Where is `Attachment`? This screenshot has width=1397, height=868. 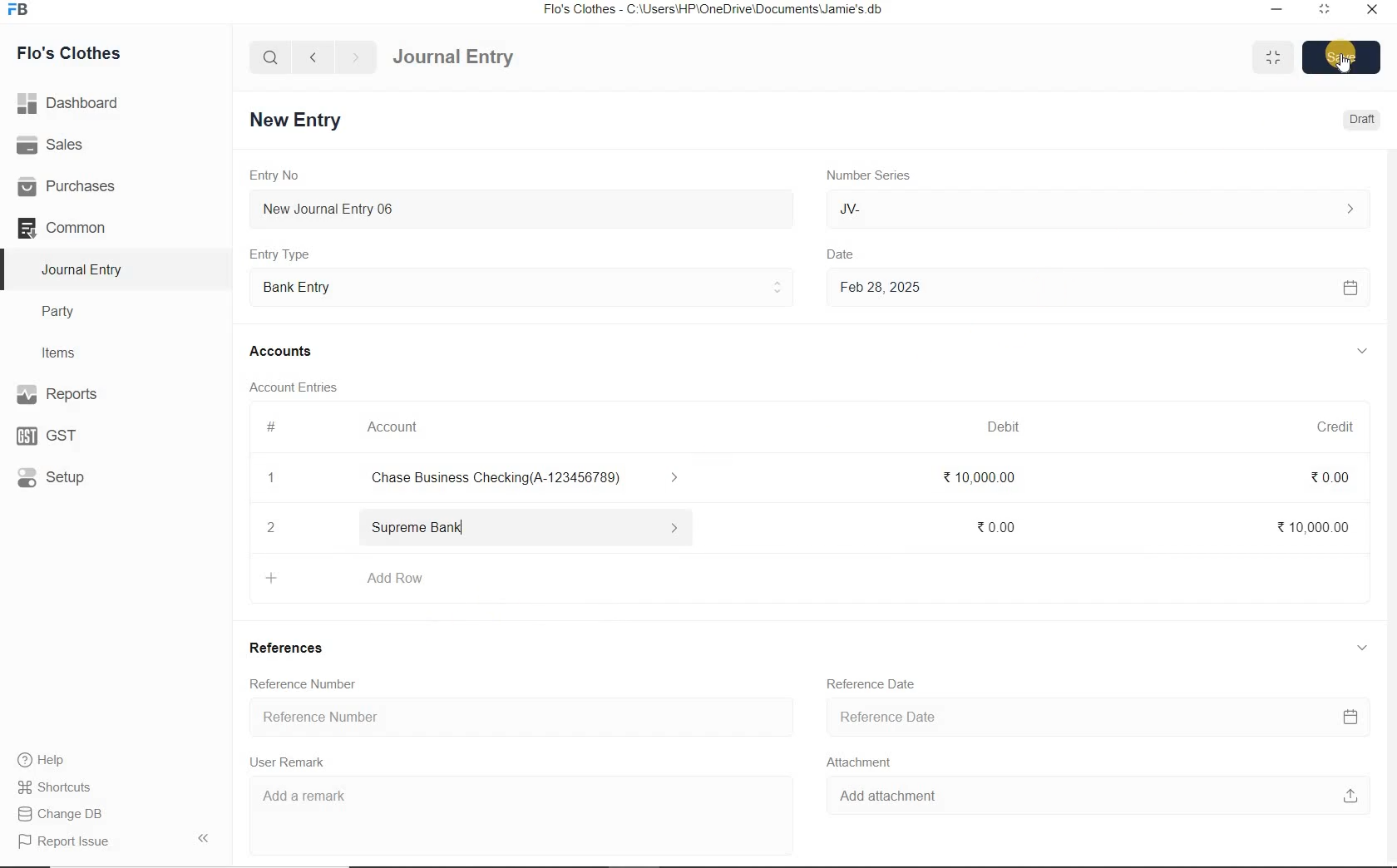
Attachment is located at coordinates (867, 764).